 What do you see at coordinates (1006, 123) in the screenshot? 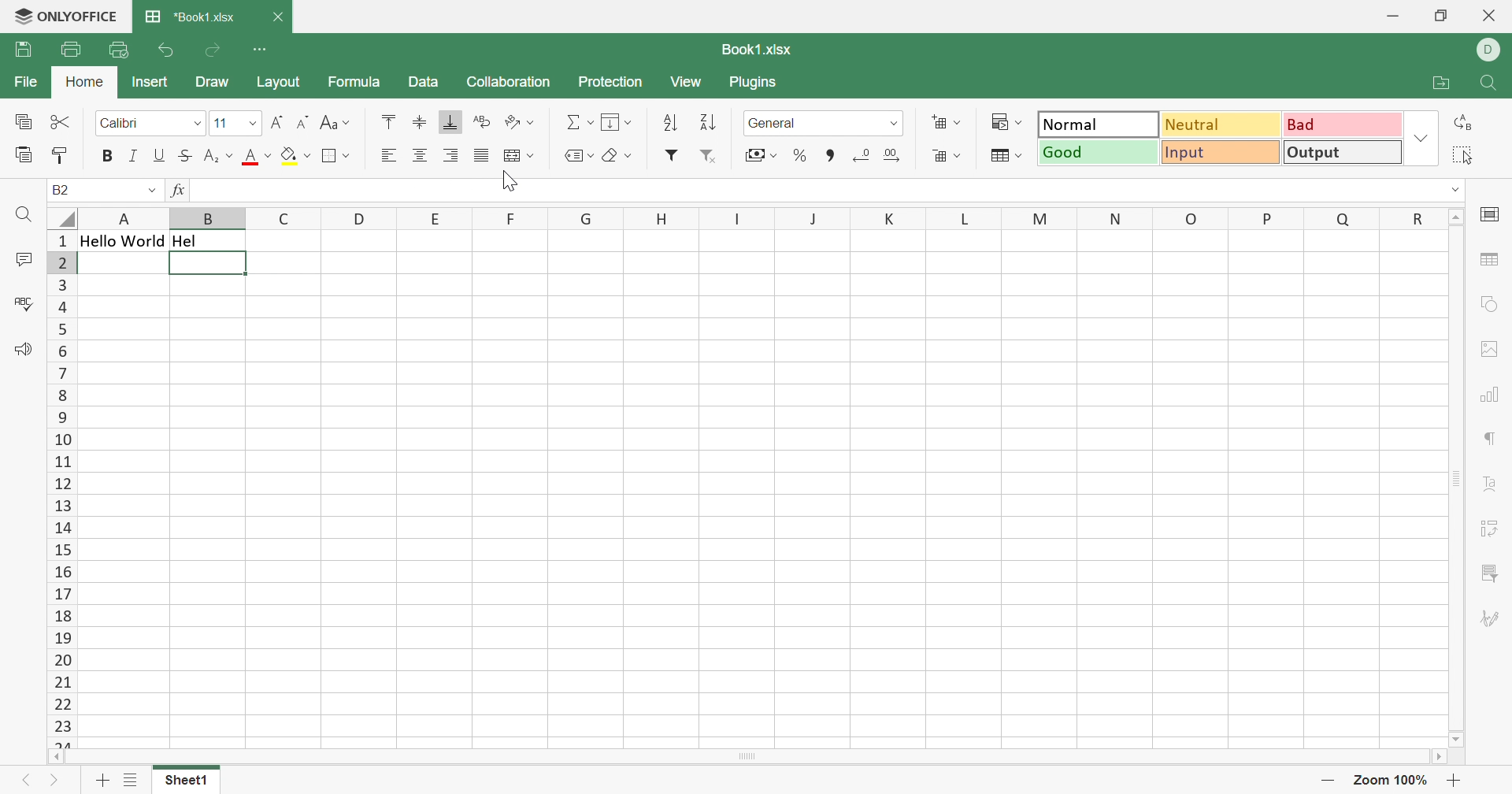
I see `Conditional formatting` at bounding box center [1006, 123].